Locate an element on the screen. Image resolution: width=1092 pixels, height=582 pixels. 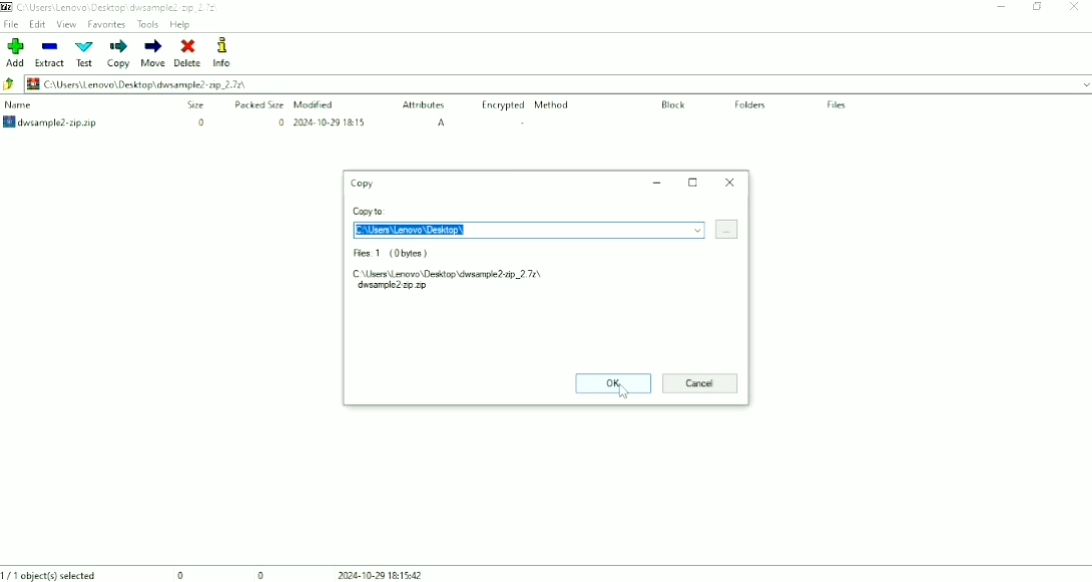
Files is located at coordinates (837, 105).